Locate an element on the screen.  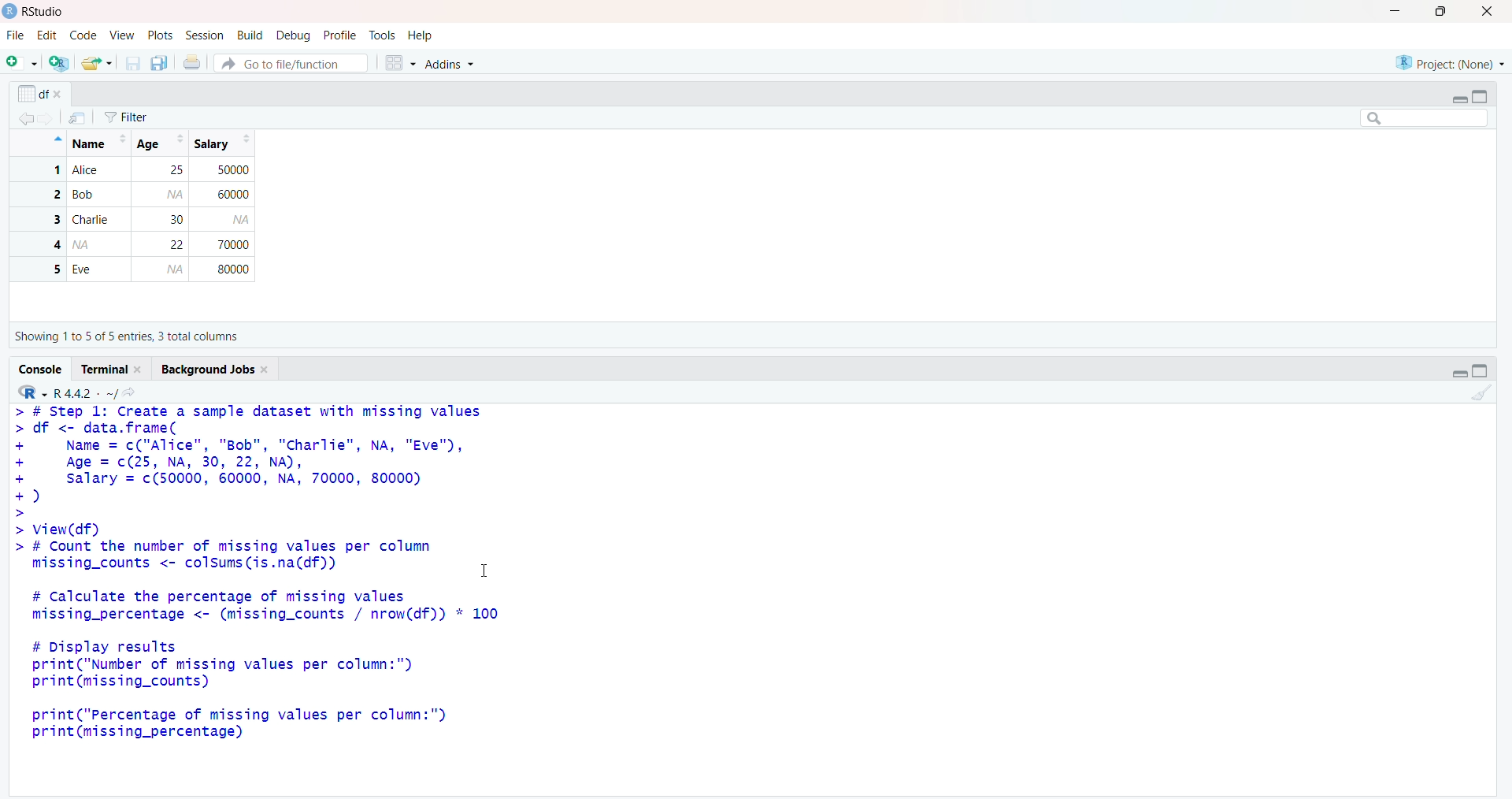
View is located at coordinates (121, 36).